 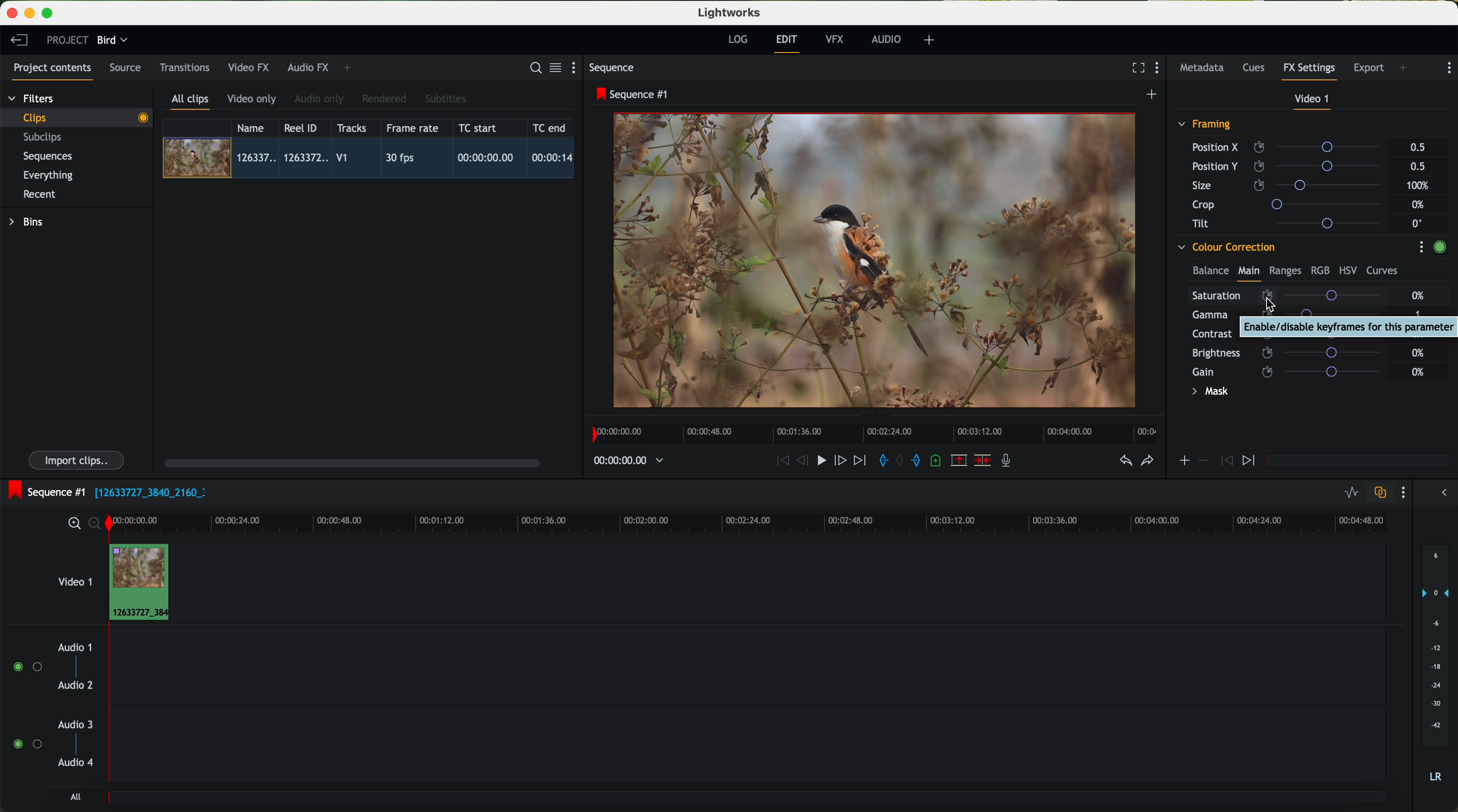 What do you see at coordinates (1418, 351) in the screenshot?
I see `0%` at bounding box center [1418, 351].